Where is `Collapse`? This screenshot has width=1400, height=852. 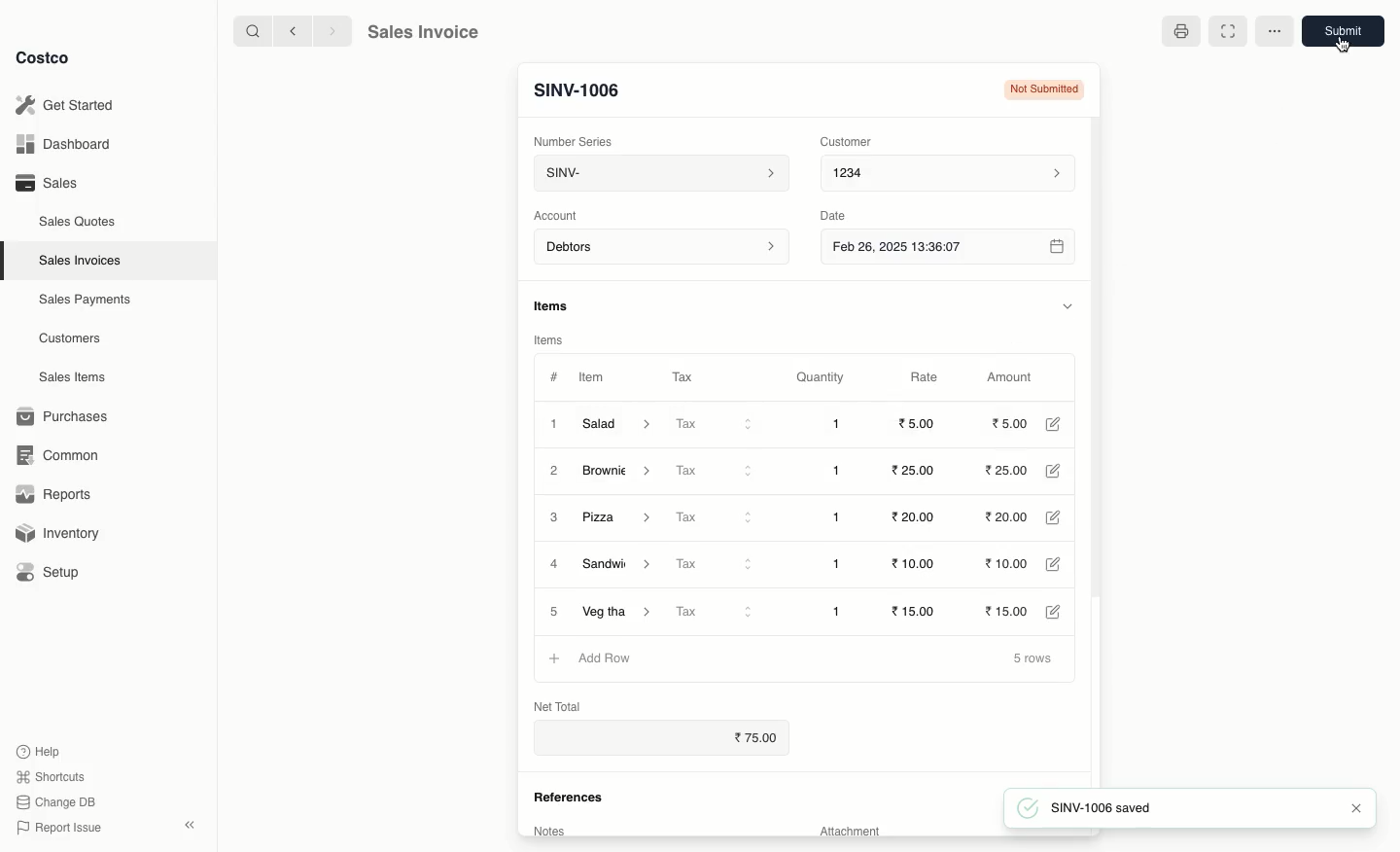 Collapse is located at coordinates (192, 826).